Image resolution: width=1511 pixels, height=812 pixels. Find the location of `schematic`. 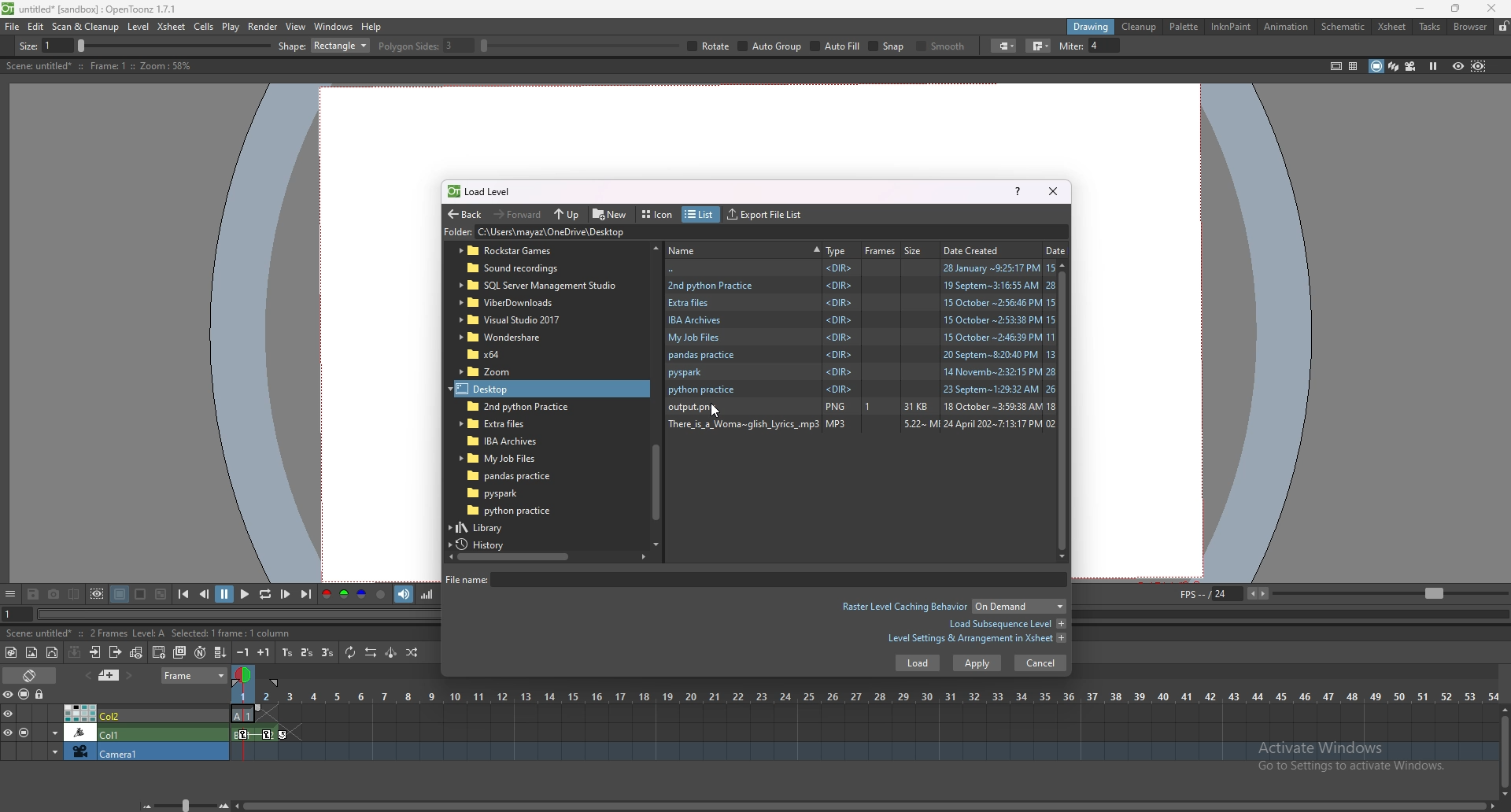

schematic is located at coordinates (1343, 25).